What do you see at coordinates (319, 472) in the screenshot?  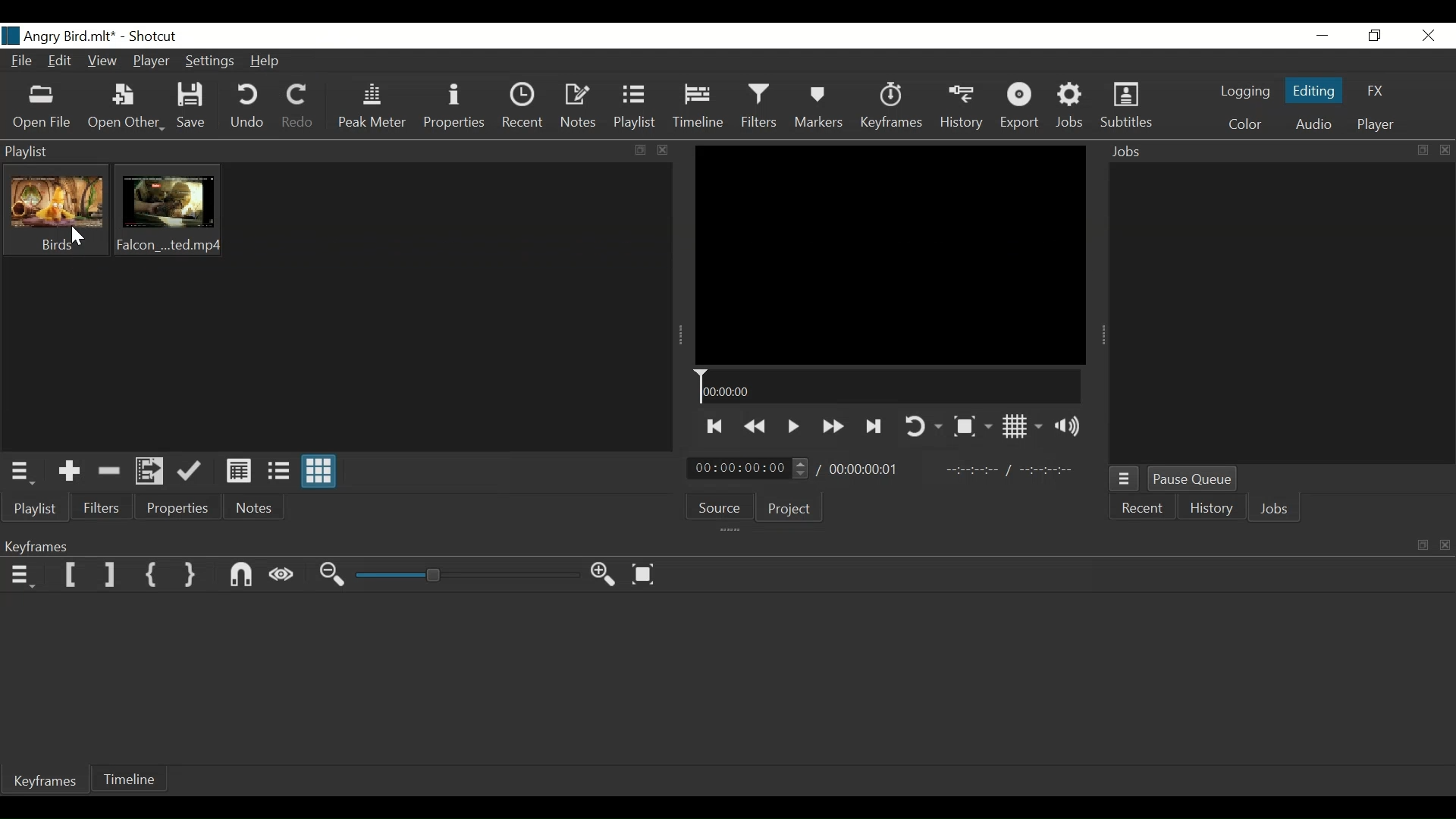 I see `View as icons` at bounding box center [319, 472].